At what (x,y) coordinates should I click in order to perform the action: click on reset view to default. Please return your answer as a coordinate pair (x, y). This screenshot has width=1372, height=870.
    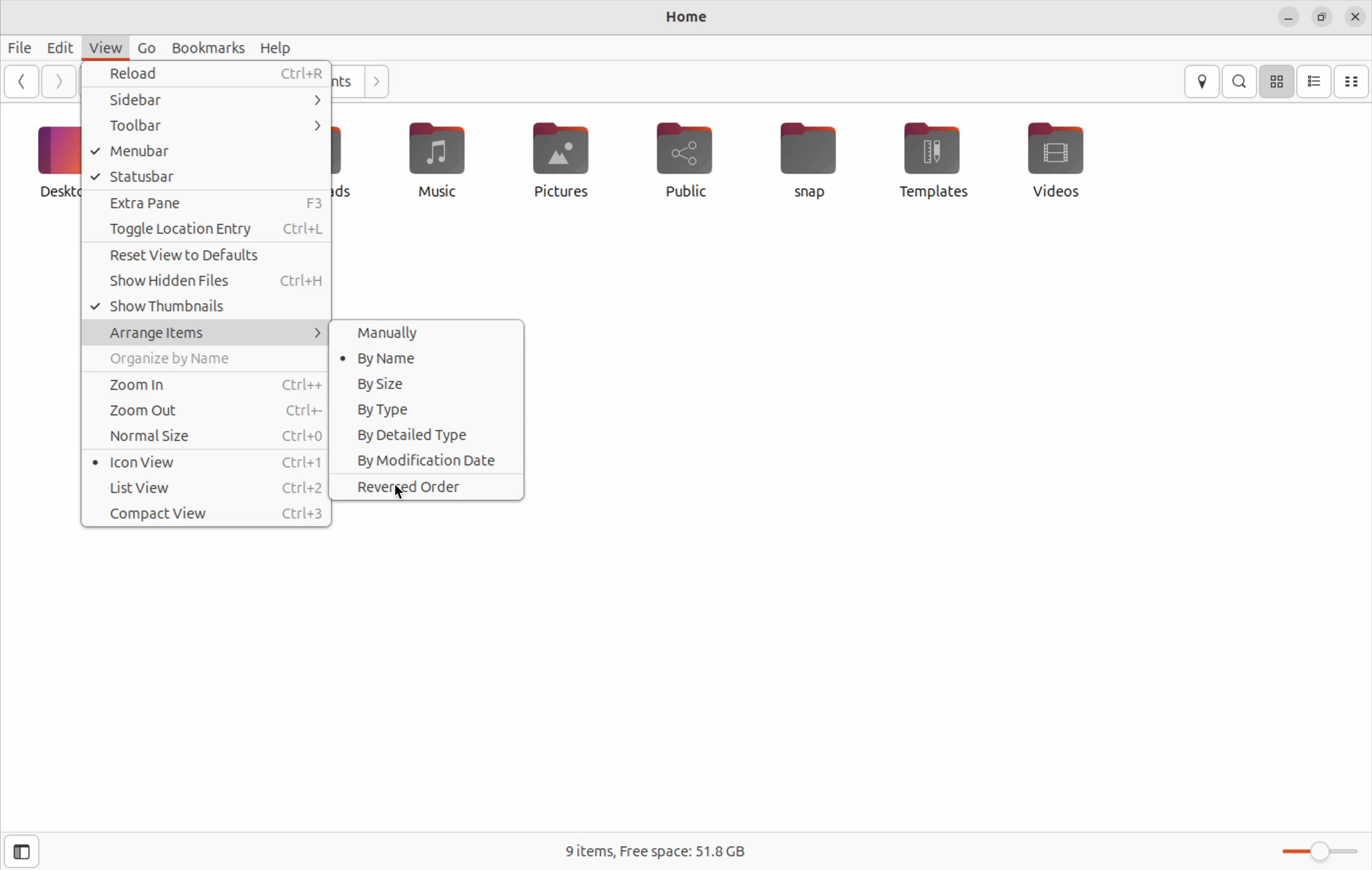
    Looking at the image, I should click on (210, 256).